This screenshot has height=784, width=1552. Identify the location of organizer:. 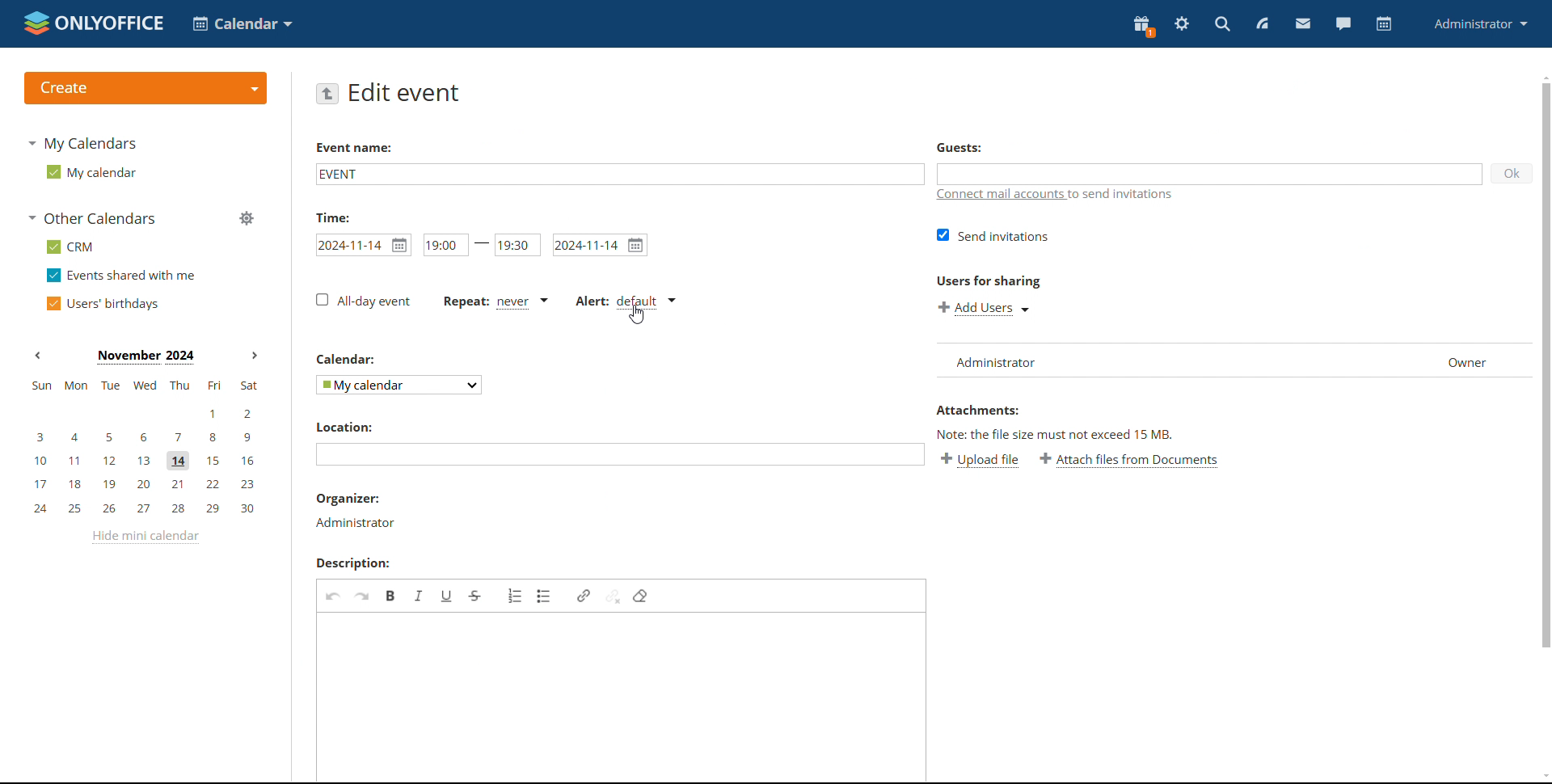
(349, 499).